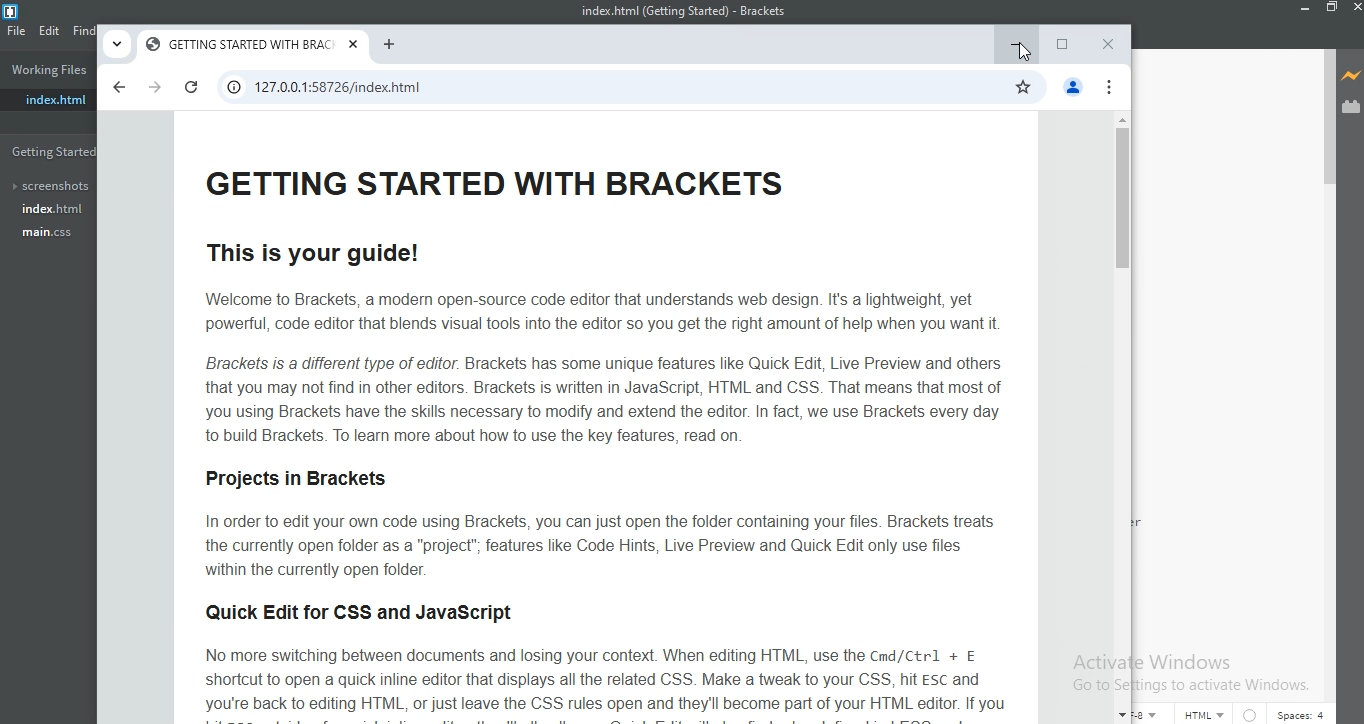 The image size is (1364, 724). What do you see at coordinates (1202, 712) in the screenshot?
I see `html` at bounding box center [1202, 712].